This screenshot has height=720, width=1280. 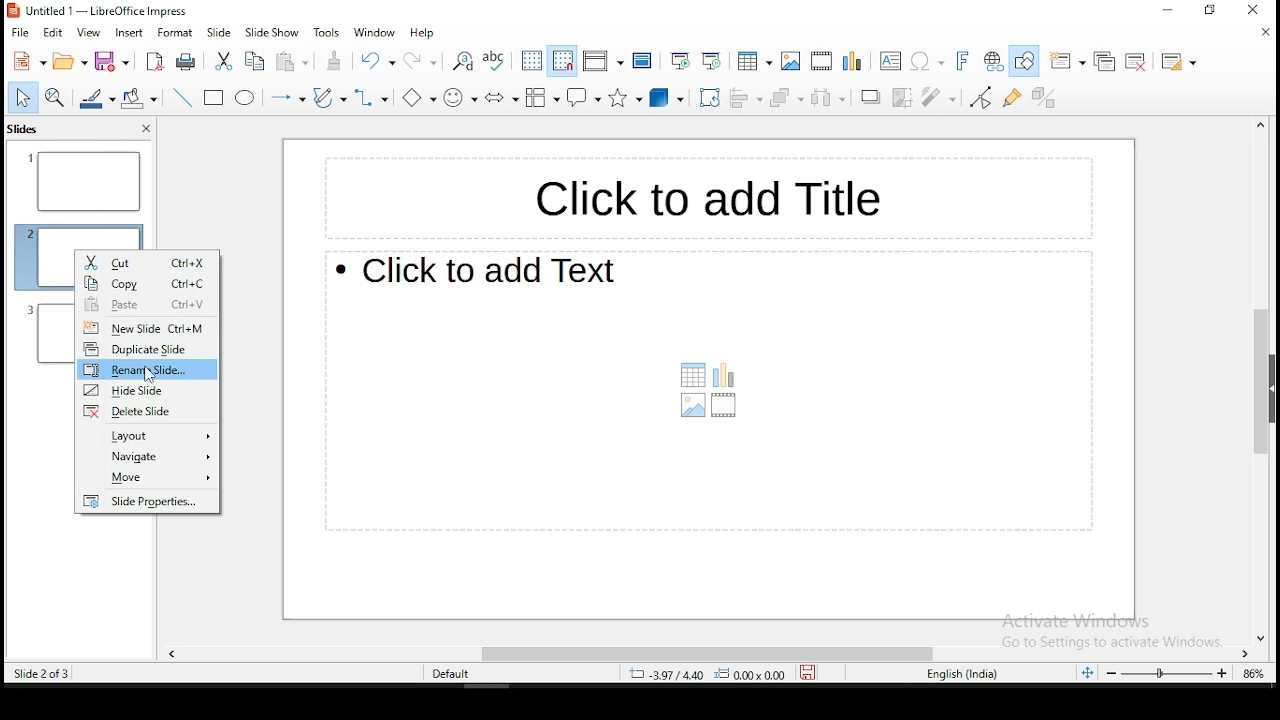 I want to click on insert image, so click(x=792, y=61).